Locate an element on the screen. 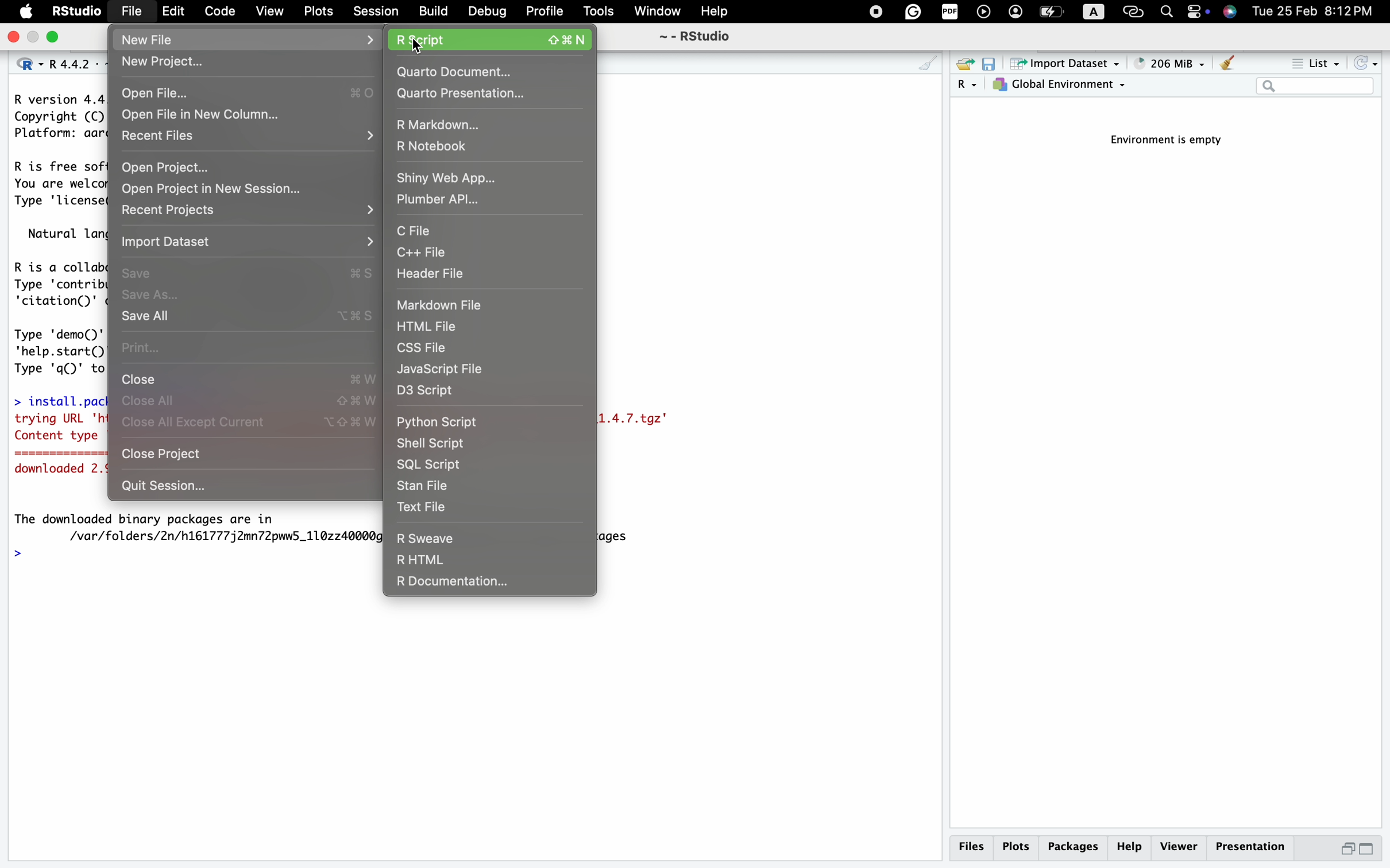 This screenshot has width=1390, height=868. save is located at coordinates (250, 269).